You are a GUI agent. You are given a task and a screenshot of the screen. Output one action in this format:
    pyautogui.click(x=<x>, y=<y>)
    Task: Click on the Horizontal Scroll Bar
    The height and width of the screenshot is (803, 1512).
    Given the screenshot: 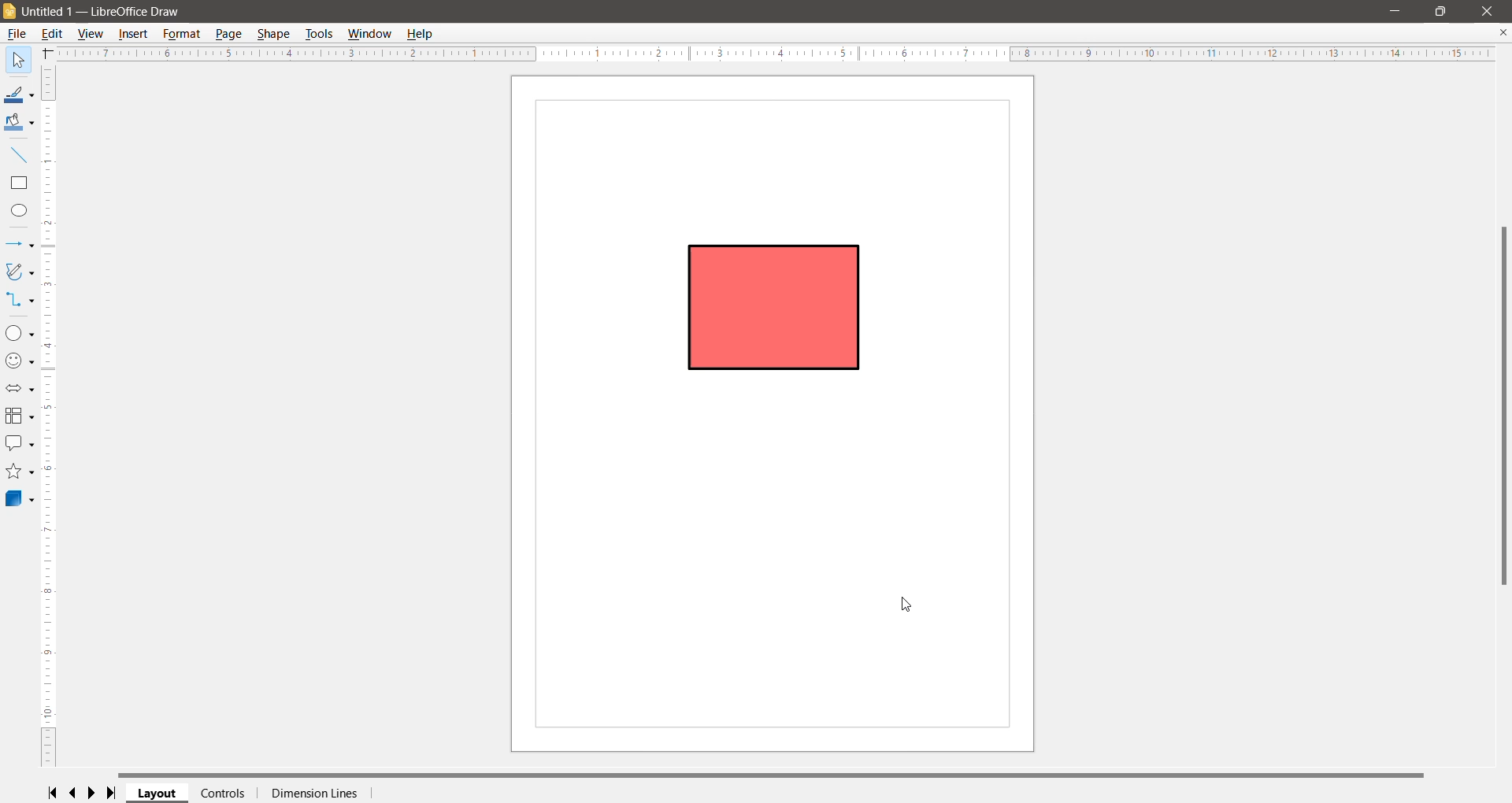 What is the action you would take?
    pyautogui.click(x=773, y=775)
    